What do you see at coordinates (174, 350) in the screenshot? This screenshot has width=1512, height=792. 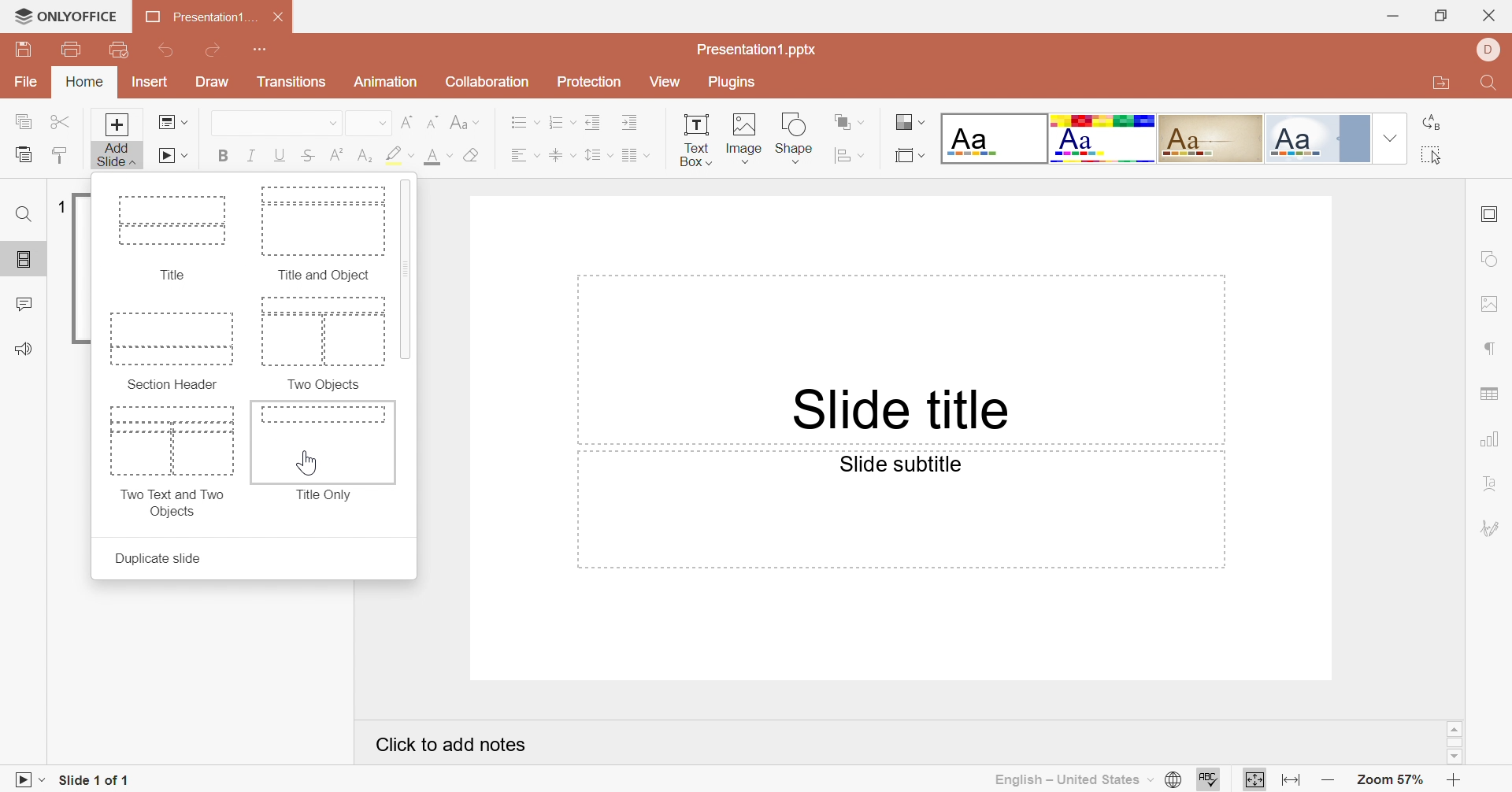 I see `Section Header` at bounding box center [174, 350].